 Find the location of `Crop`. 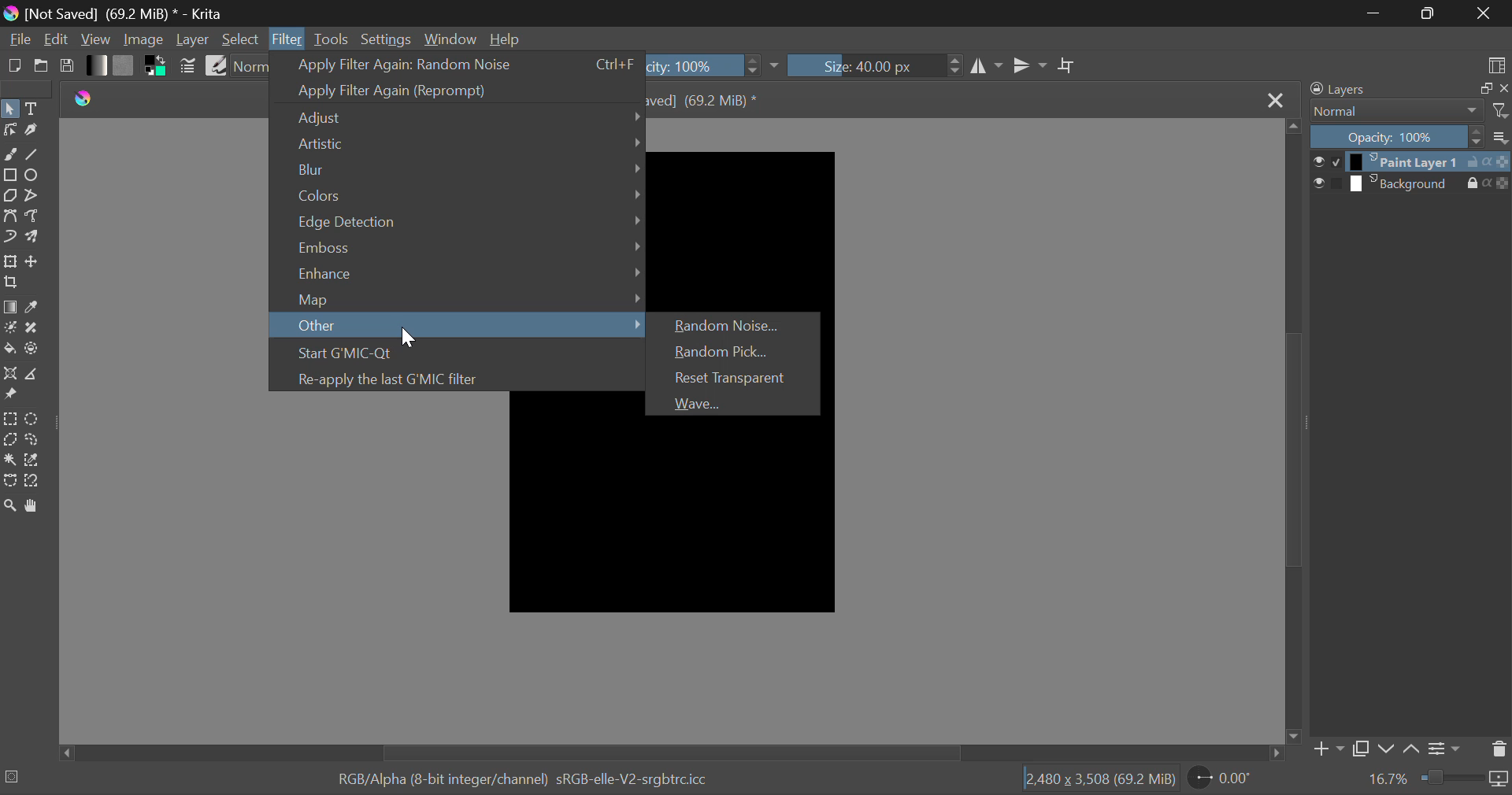

Crop is located at coordinates (1067, 66).